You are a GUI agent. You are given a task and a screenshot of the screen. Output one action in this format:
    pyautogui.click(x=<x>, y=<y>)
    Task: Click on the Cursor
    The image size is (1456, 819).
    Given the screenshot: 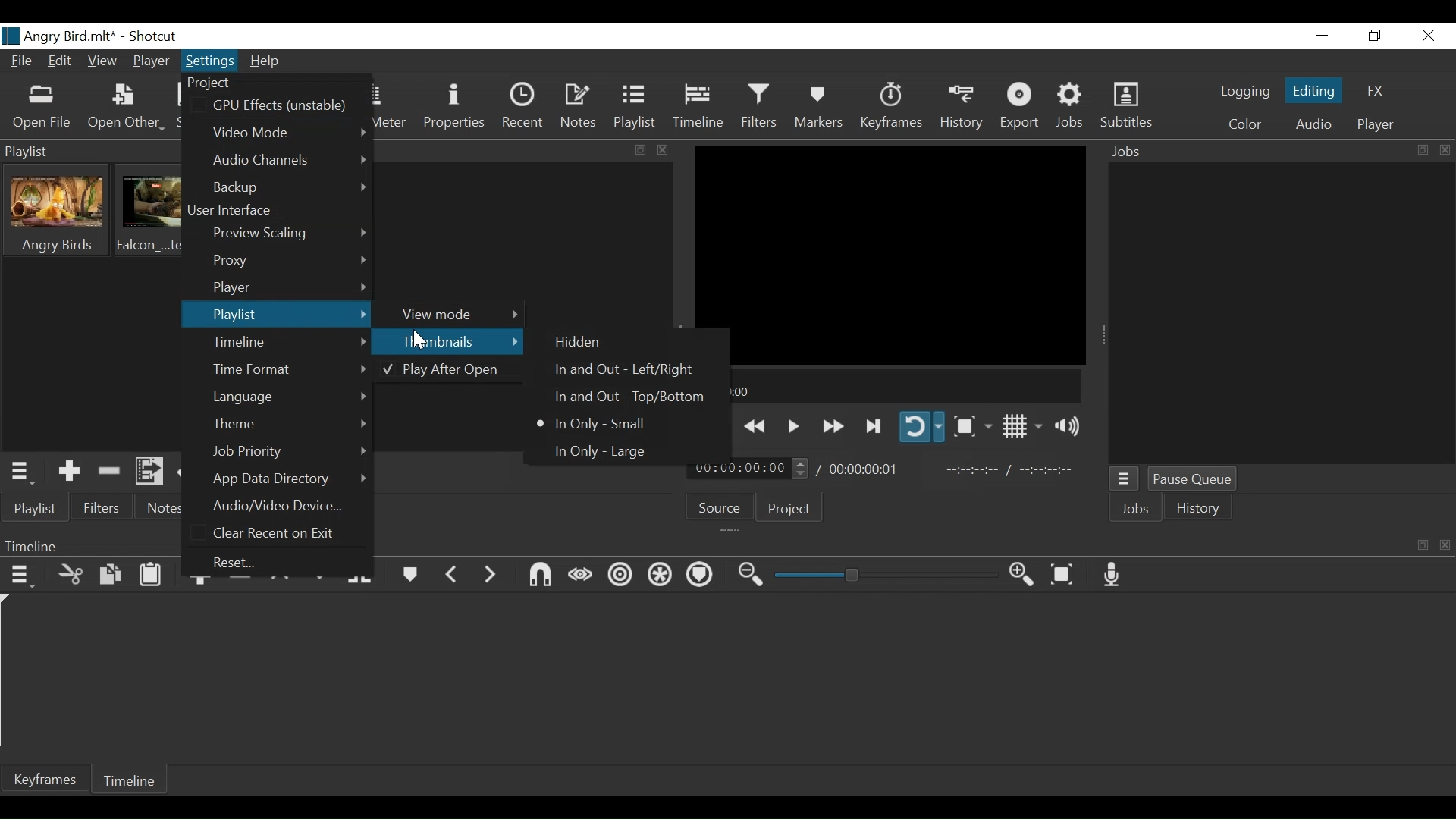 What is the action you would take?
    pyautogui.click(x=422, y=340)
    